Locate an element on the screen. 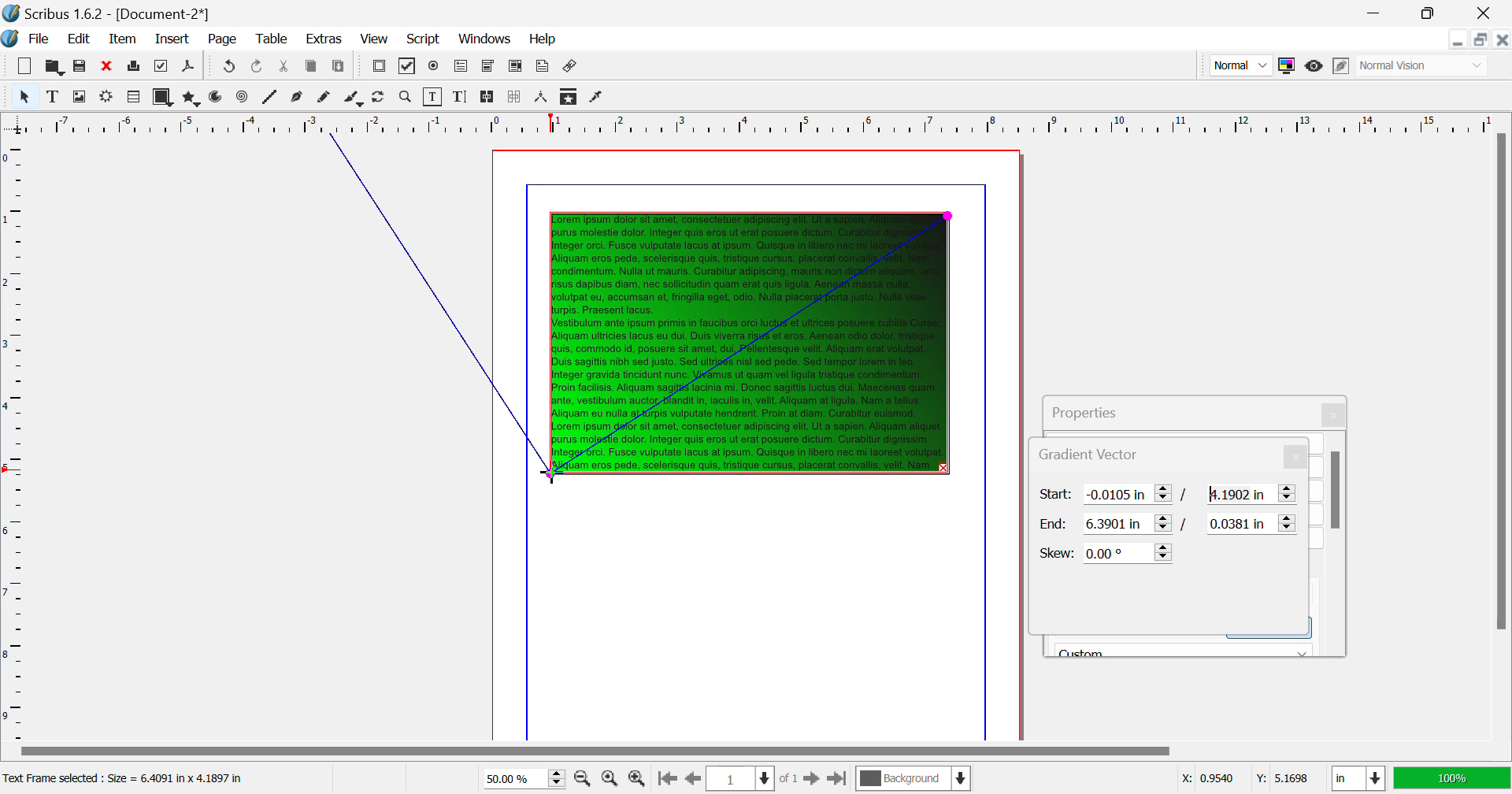  Pdf Checkbox is located at coordinates (408, 69).